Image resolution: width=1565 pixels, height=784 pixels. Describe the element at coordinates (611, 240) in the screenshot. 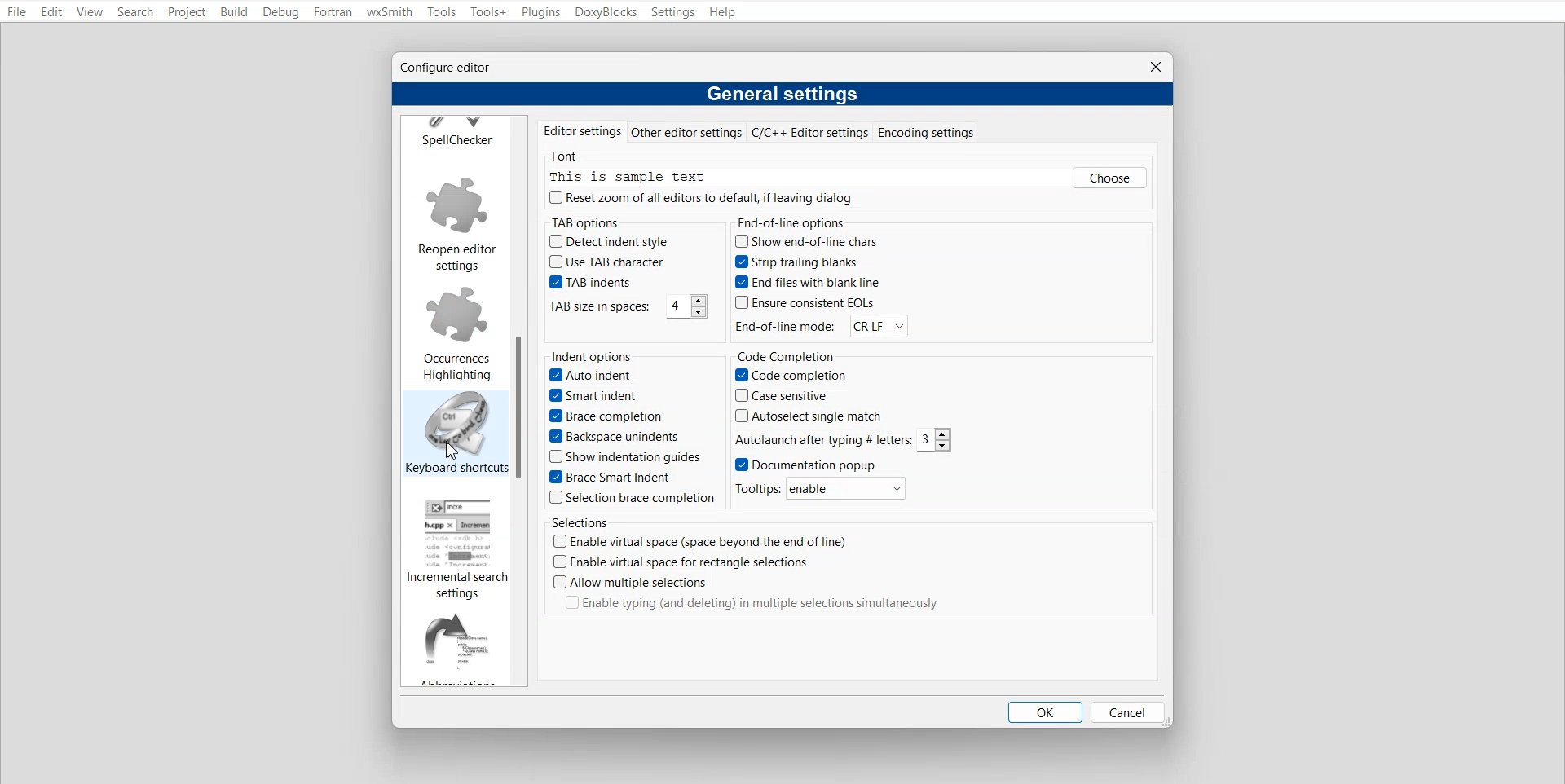

I see `Detect indent style` at that location.